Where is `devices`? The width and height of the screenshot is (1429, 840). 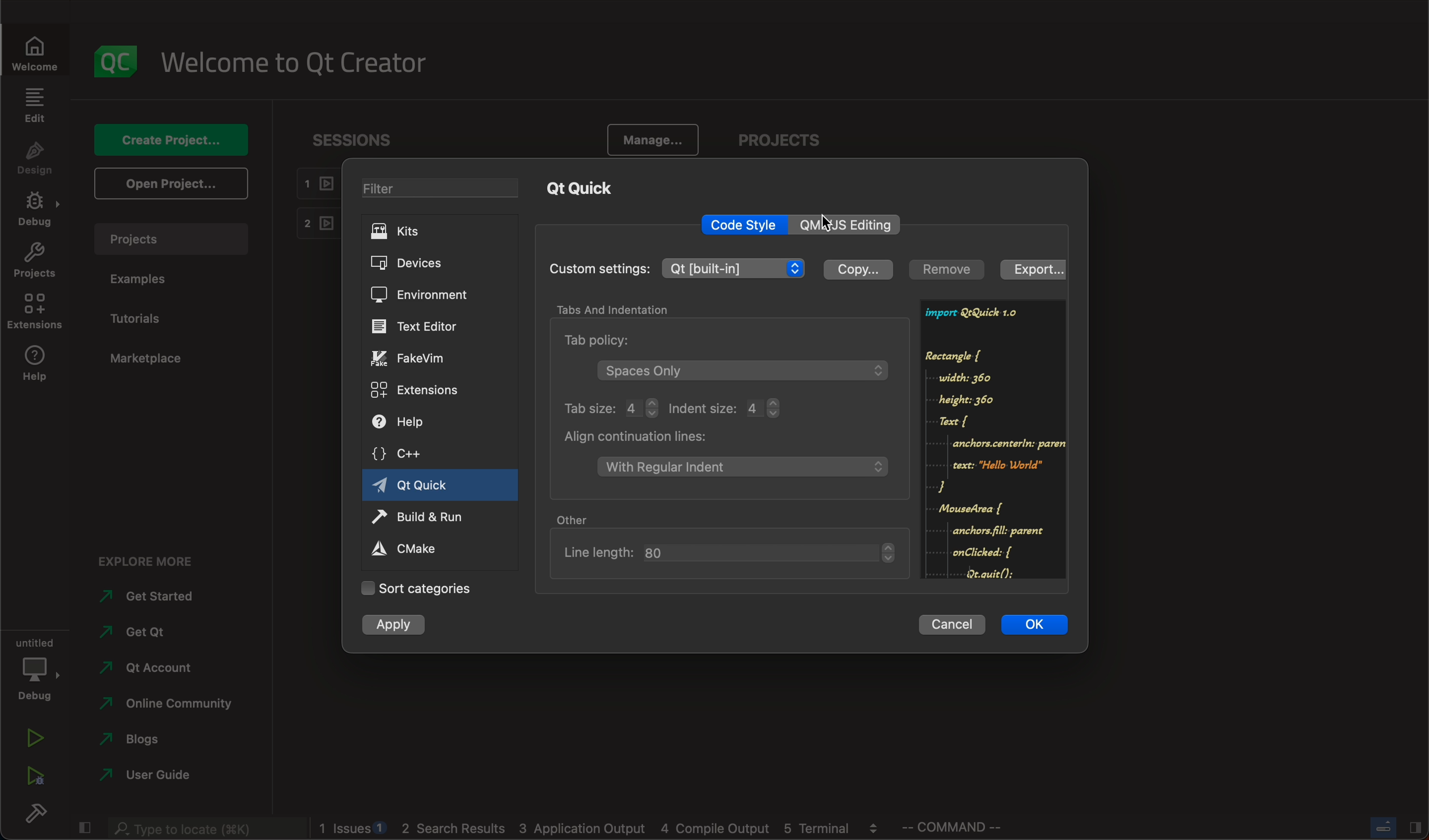
devices is located at coordinates (433, 264).